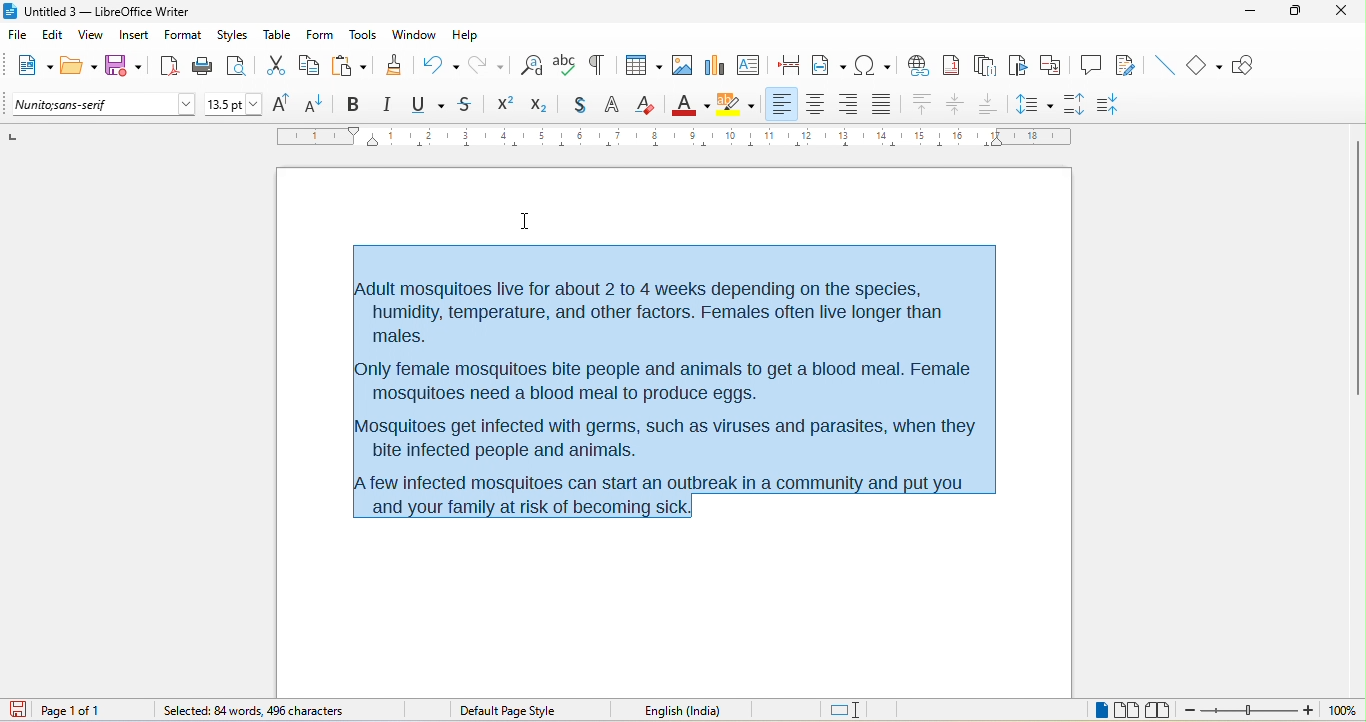 The image size is (1366, 722). I want to click on show track changes function, so click(1129, 66).